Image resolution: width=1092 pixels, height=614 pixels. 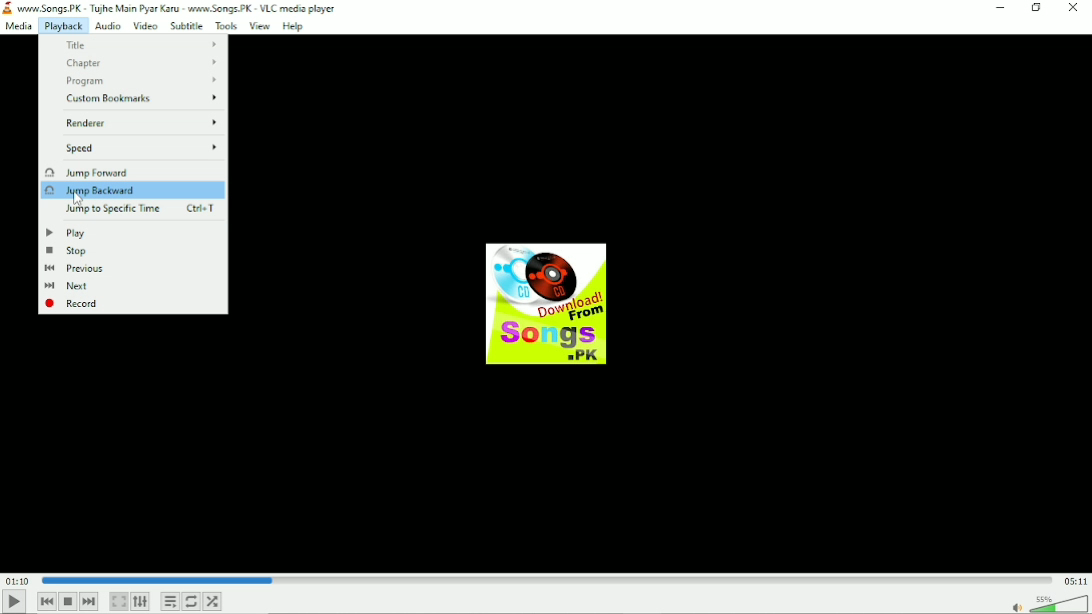 I want to click on Toggle between loop all, loop one, no loop, so click(x=191, y=601).